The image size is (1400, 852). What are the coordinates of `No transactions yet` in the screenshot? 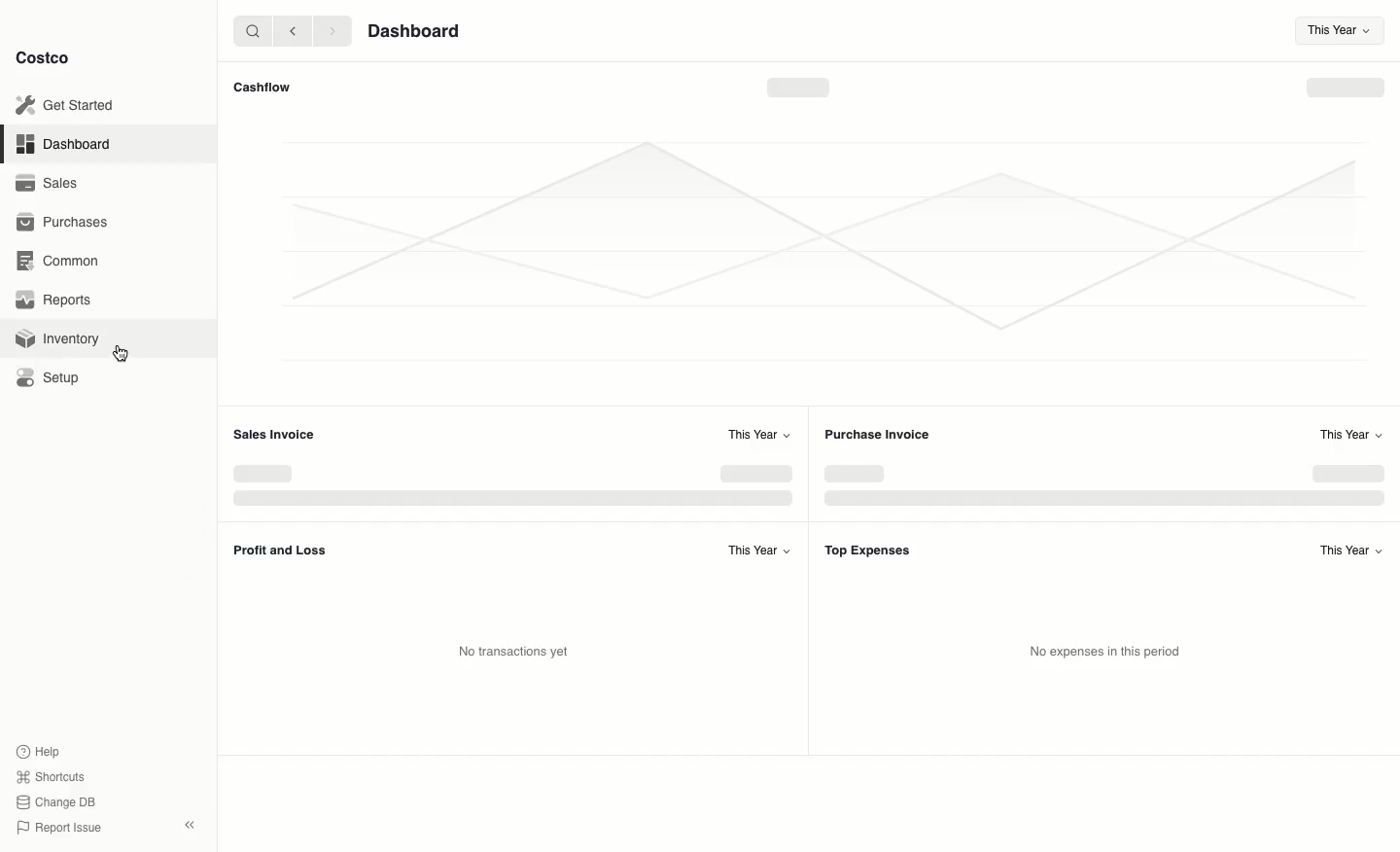 It's located at (515, 652).